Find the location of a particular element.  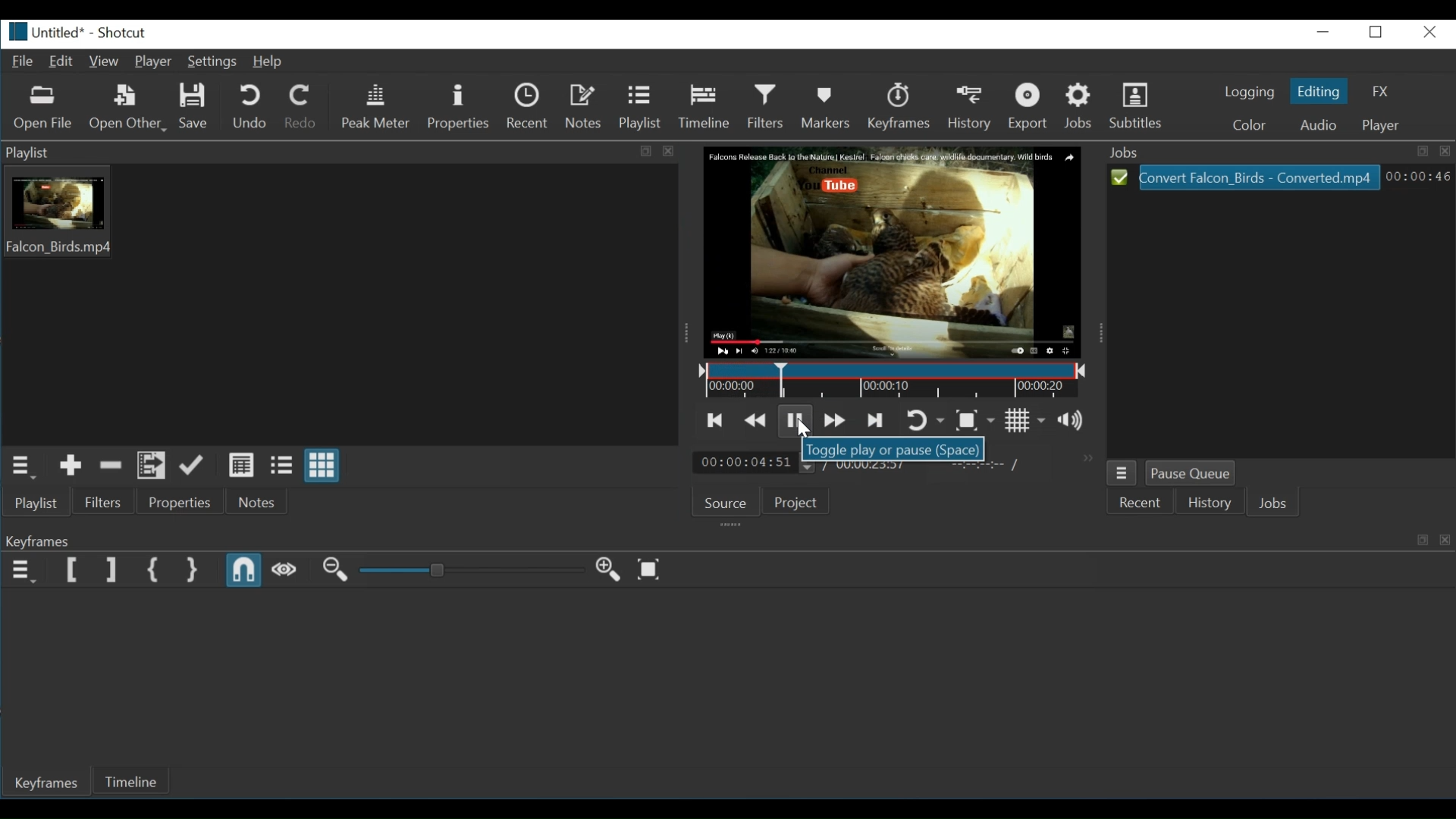

Update is located at coordinates (190, 466).